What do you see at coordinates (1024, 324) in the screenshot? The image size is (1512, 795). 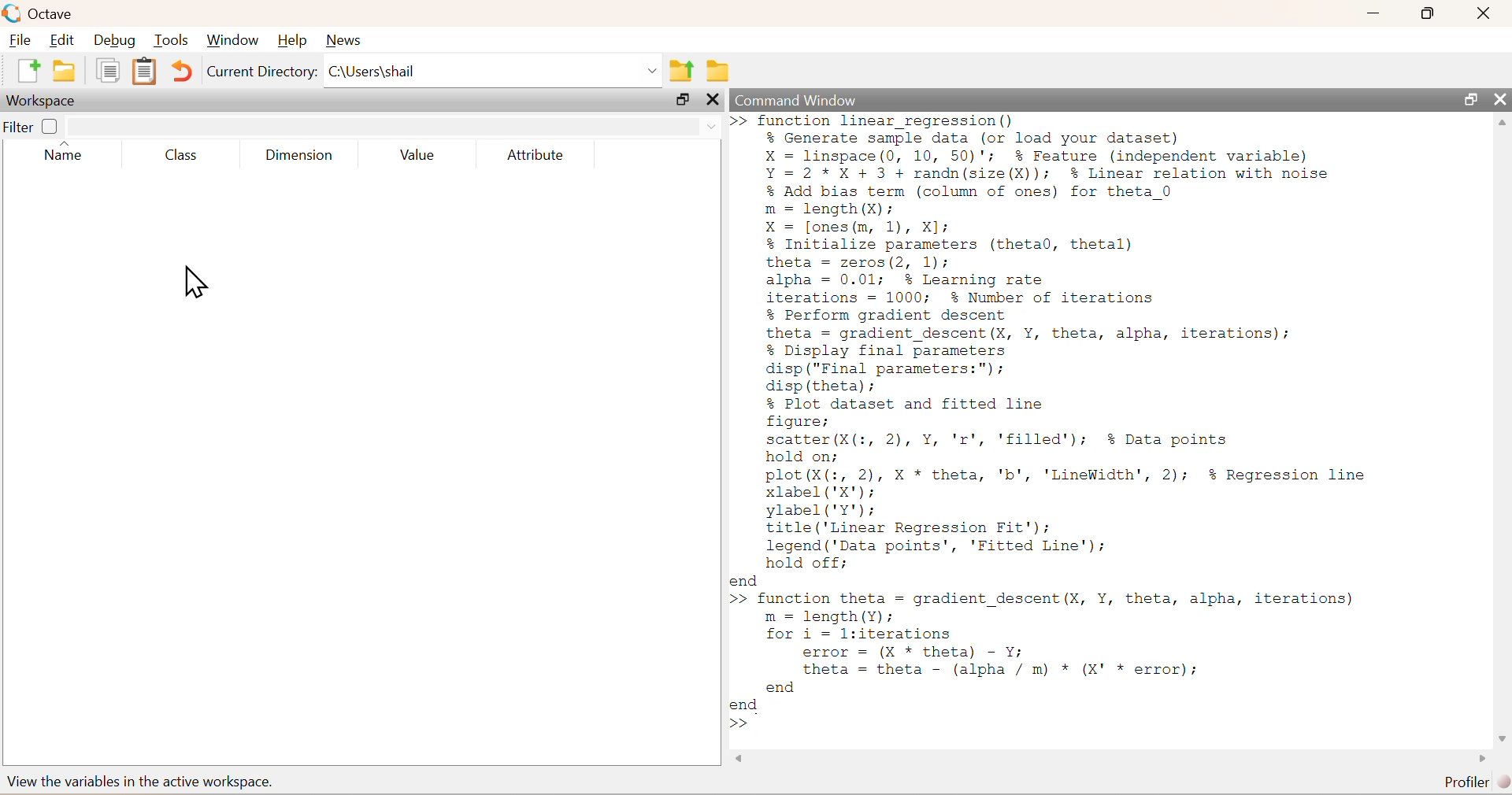 I see `theta = zeros(2, 1);alpha = 0.01; % Learning rateiterations = 1000; % Number of iterations% Perform gradient descenttheta = gradient_descent(X, Y, theta, alpha, iterations);% Display final parametersdisp ("Final parameters:");disp (theta);` at bounding box center [1024, 324].